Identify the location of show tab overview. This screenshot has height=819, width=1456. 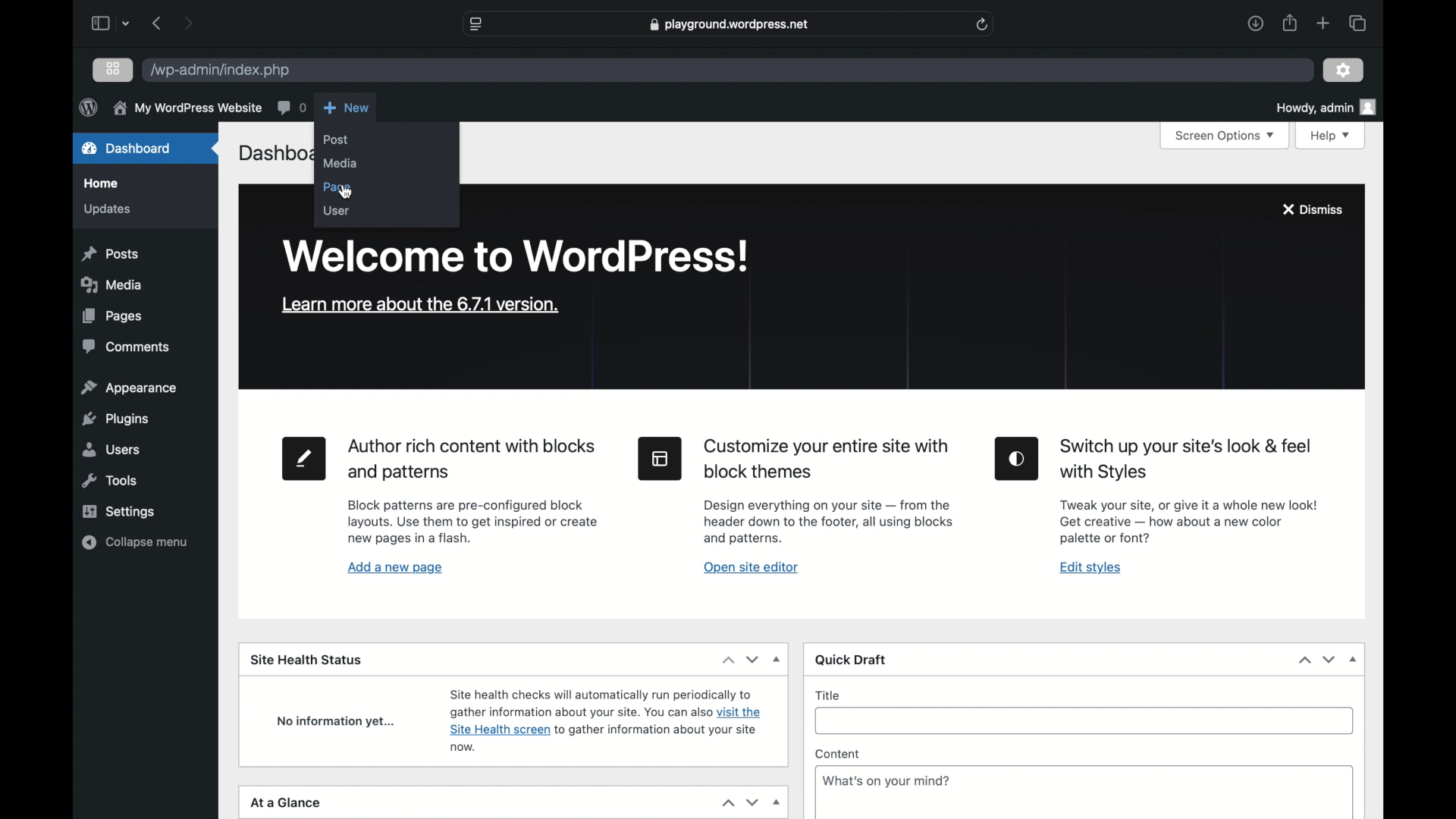
(1357, 23).